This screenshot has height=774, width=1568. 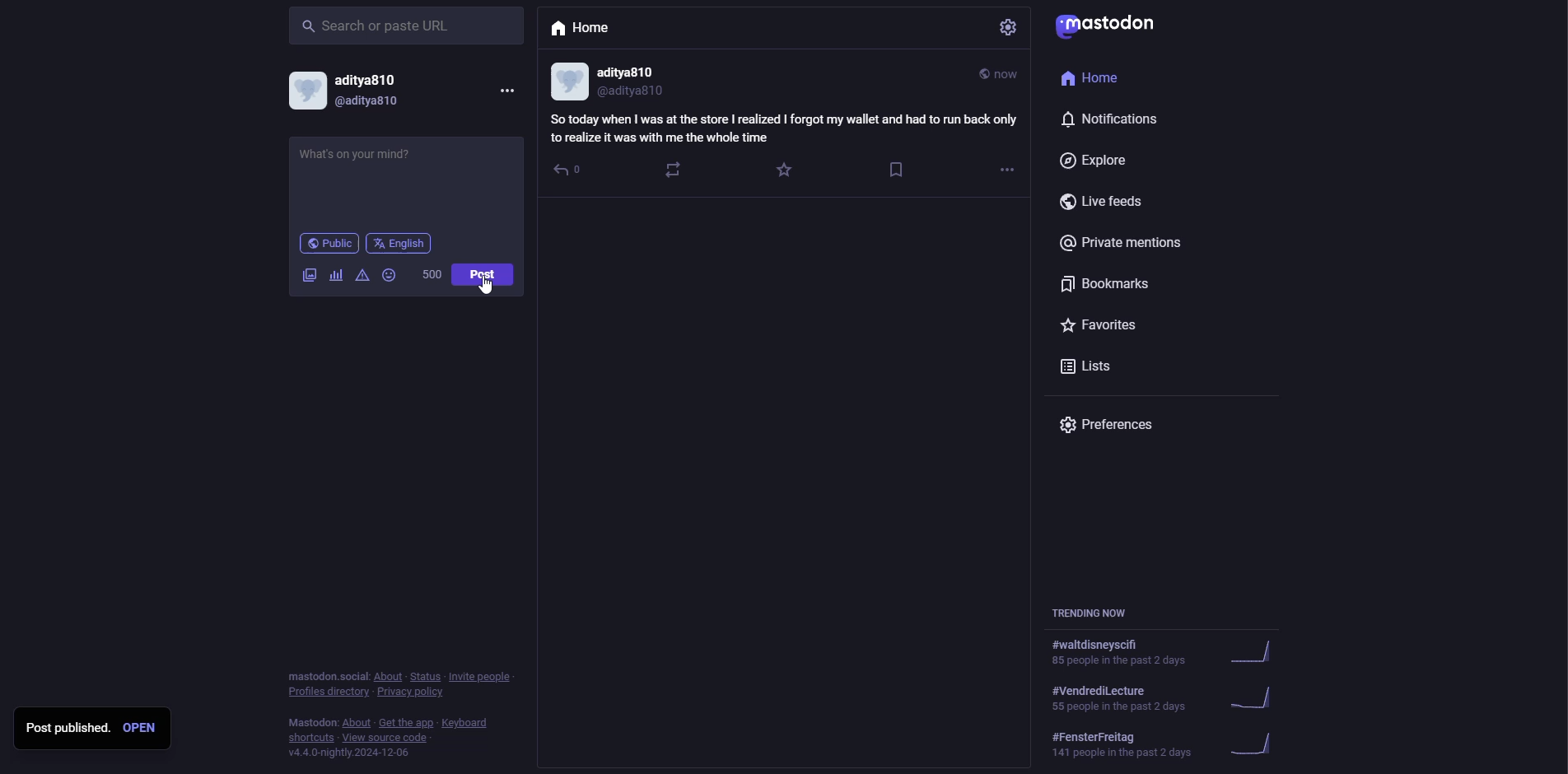 What do you see at coordinates (1126, 243) in the screenshot?
I see `private mentions` at bounding box center [1126, 243].